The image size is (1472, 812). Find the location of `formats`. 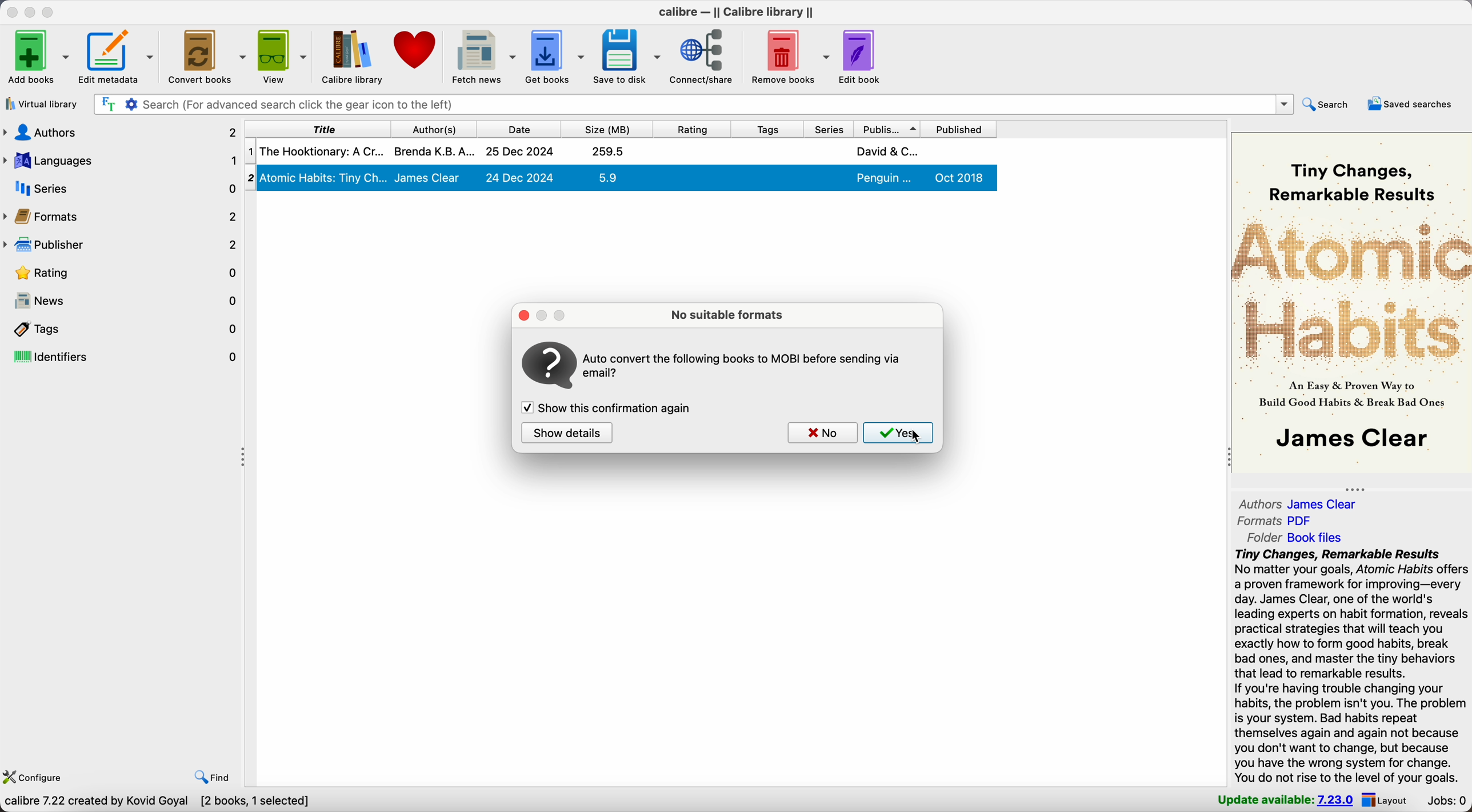

formats is located at coordinates (122, 216).